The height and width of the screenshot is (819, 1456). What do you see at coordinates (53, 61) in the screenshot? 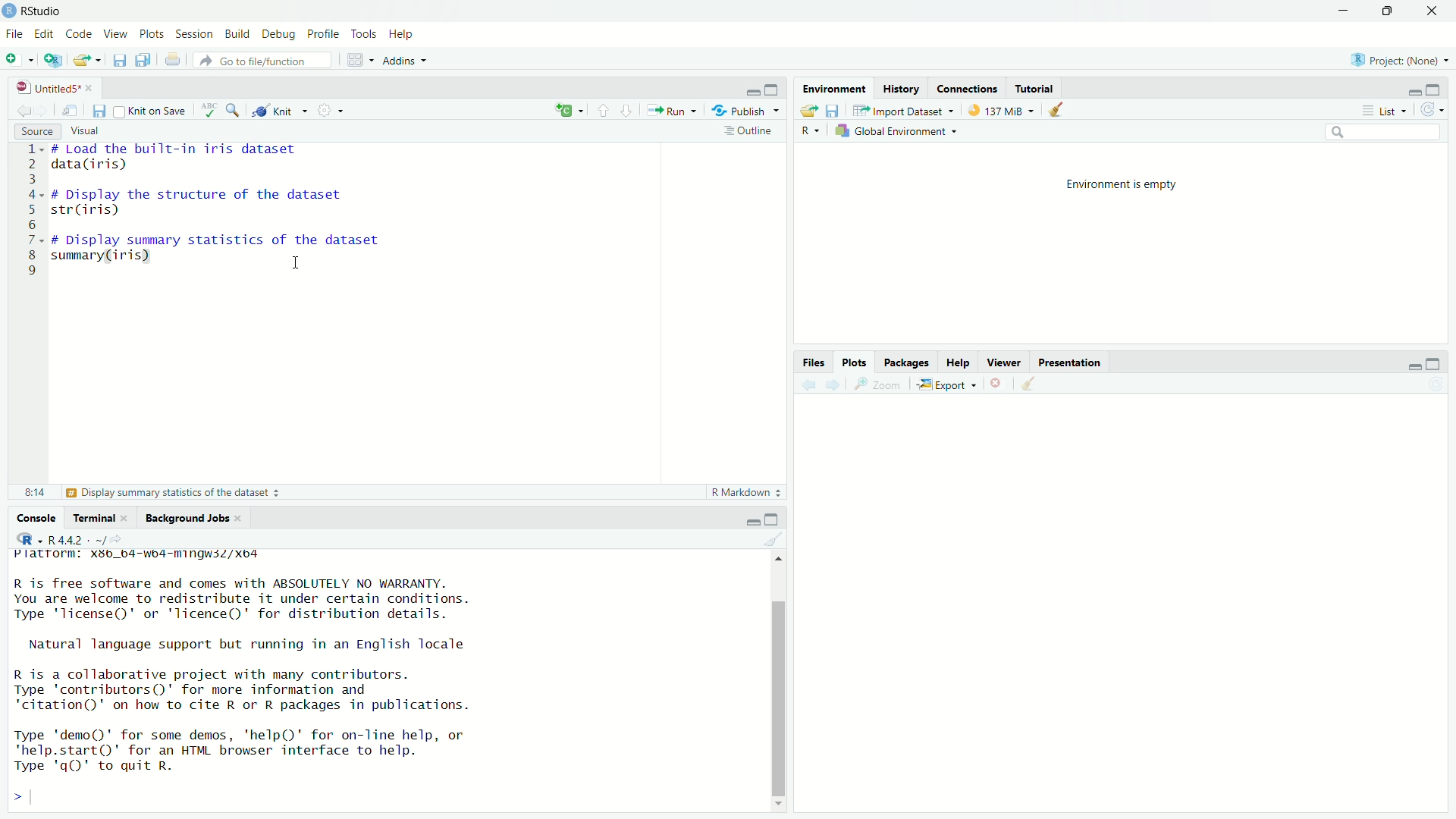
I see `Create new project` at bounding box center [53, 61].